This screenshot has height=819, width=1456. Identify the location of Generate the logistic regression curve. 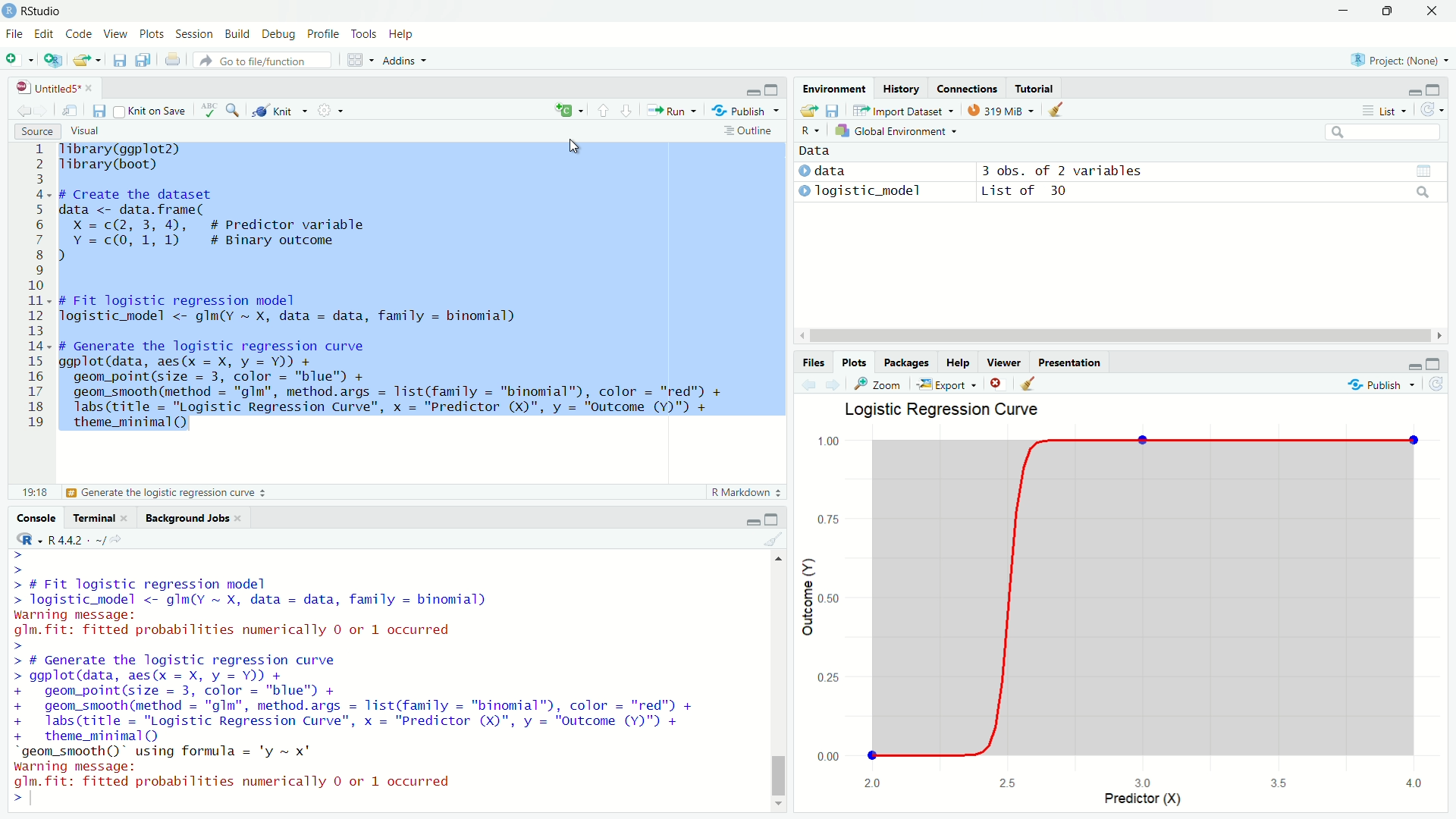
(168, 493).